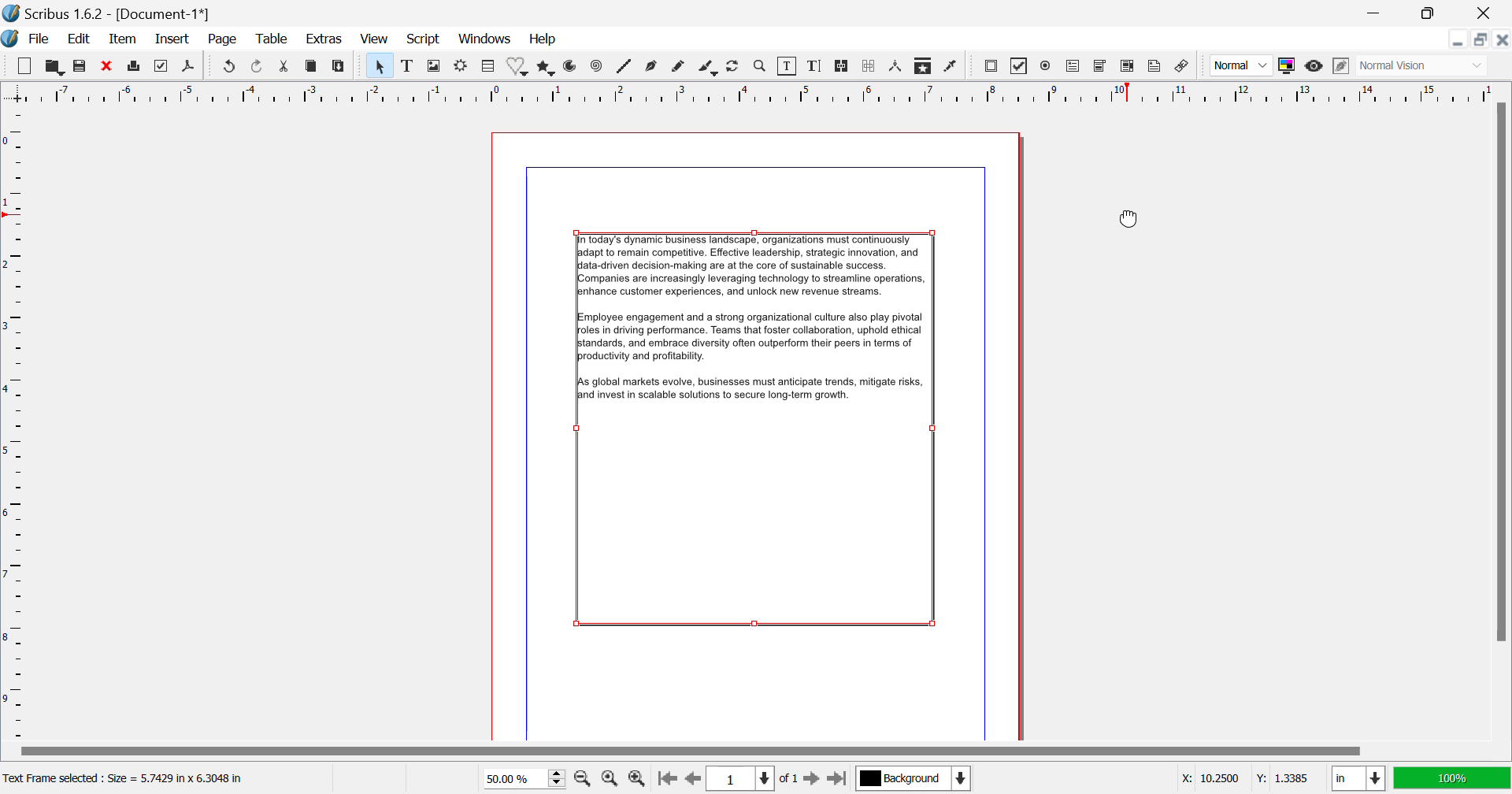 The height and width of the screenshot is (794, 1512). Describe the element at coordinates (110, 13) in the screenshot. I see `Scribus 1.62 - [Document 1*]` at that location.